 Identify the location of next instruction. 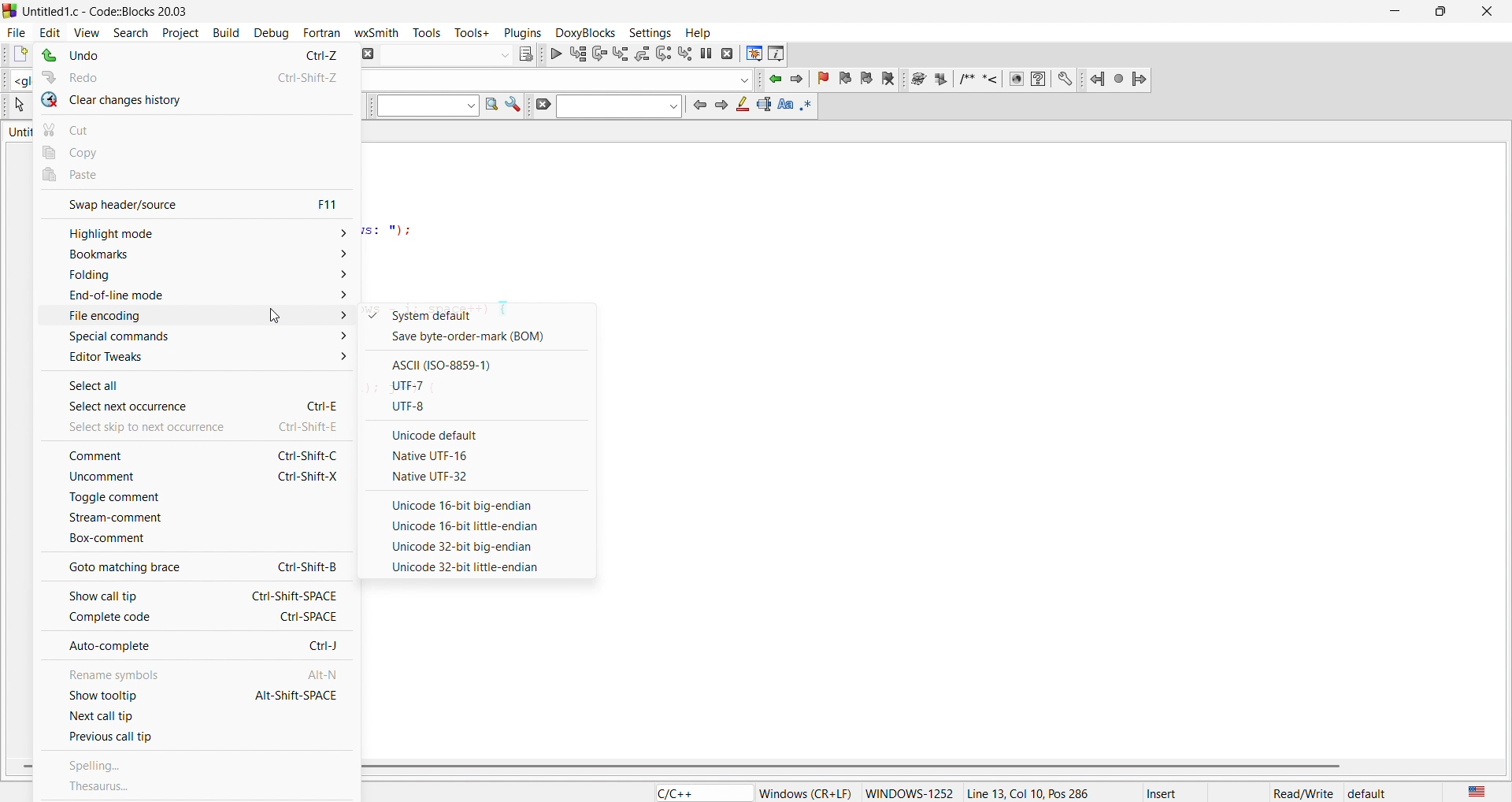
(663, 54).